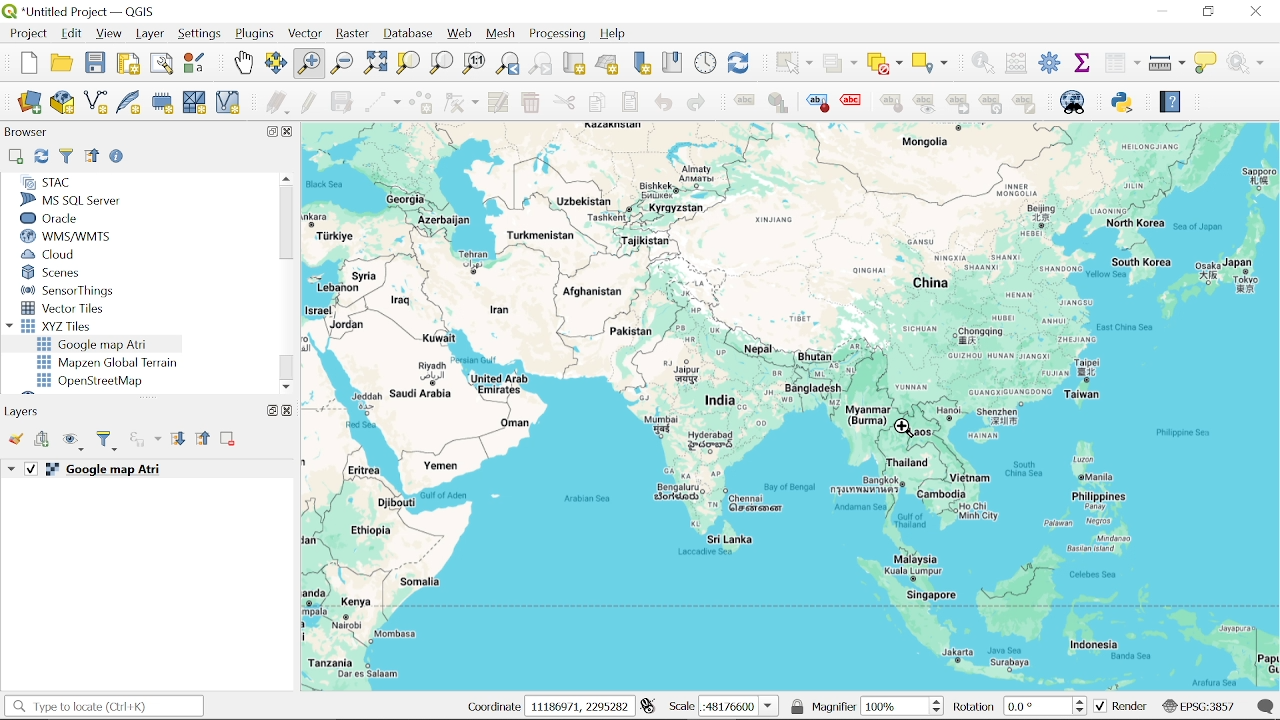 This screenshot has height=720, width=1280. What do you see at coordinates (342, 64) in the screenshot?
I see `Zoom out` at bounding box center [342, 64].